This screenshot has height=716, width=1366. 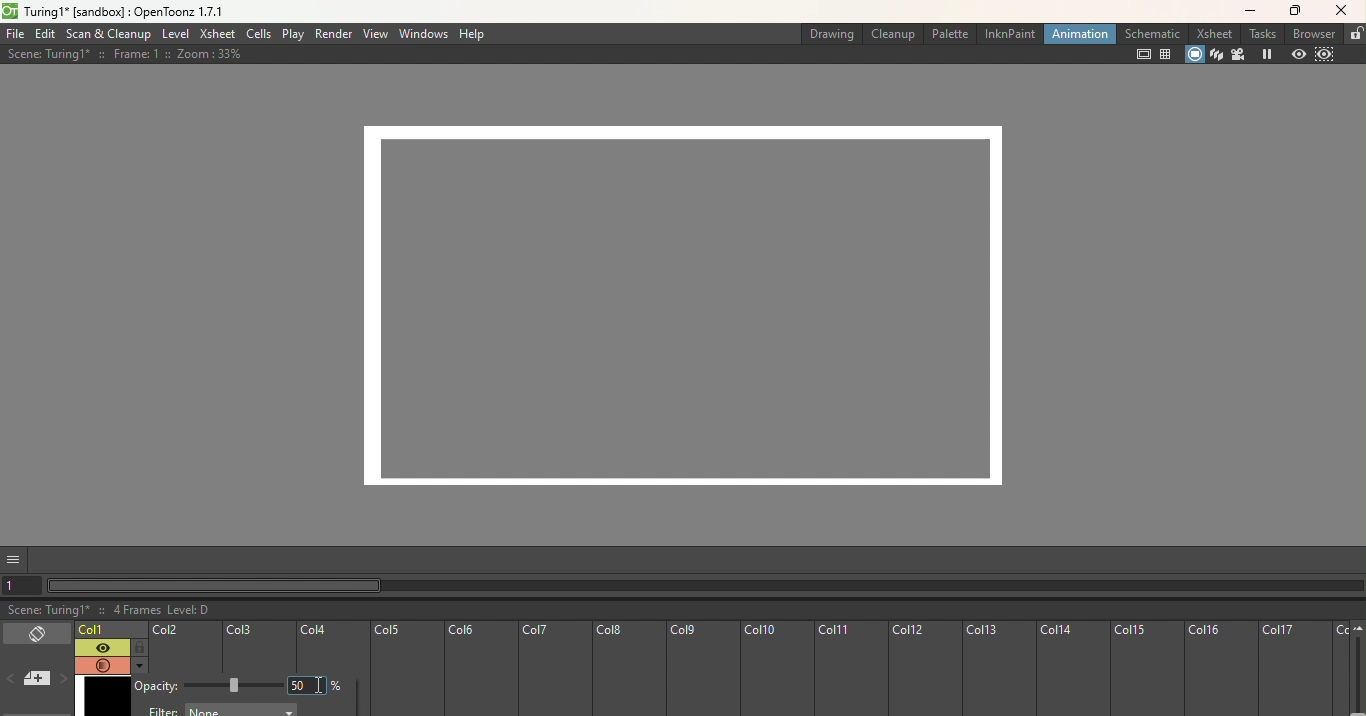 I want to click on Browser, so click(x=1310, y=34).